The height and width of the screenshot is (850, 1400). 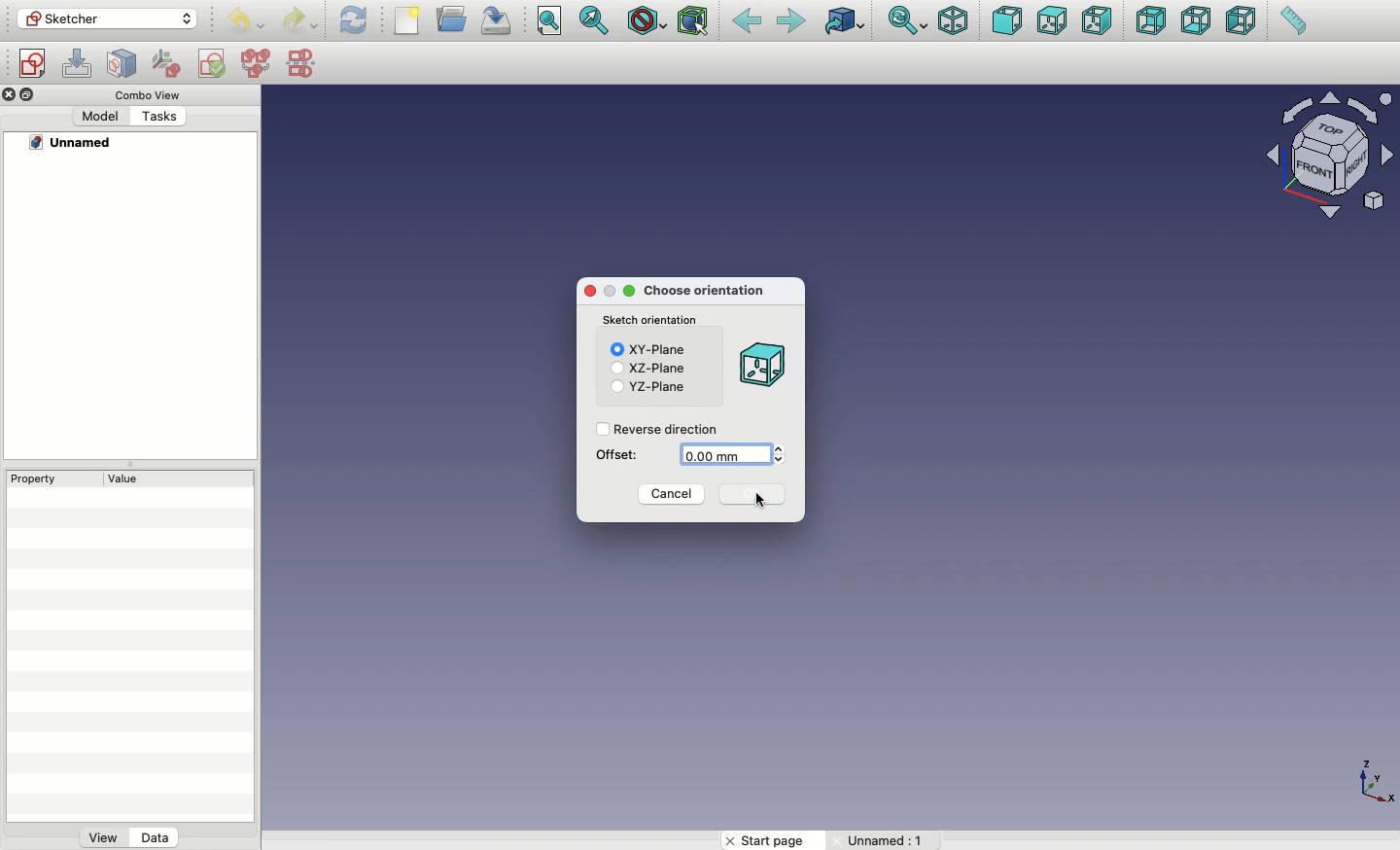 What do you see at coordinates (886, 840) in the screenshot?
I see `` at bounding box center [886, 840].